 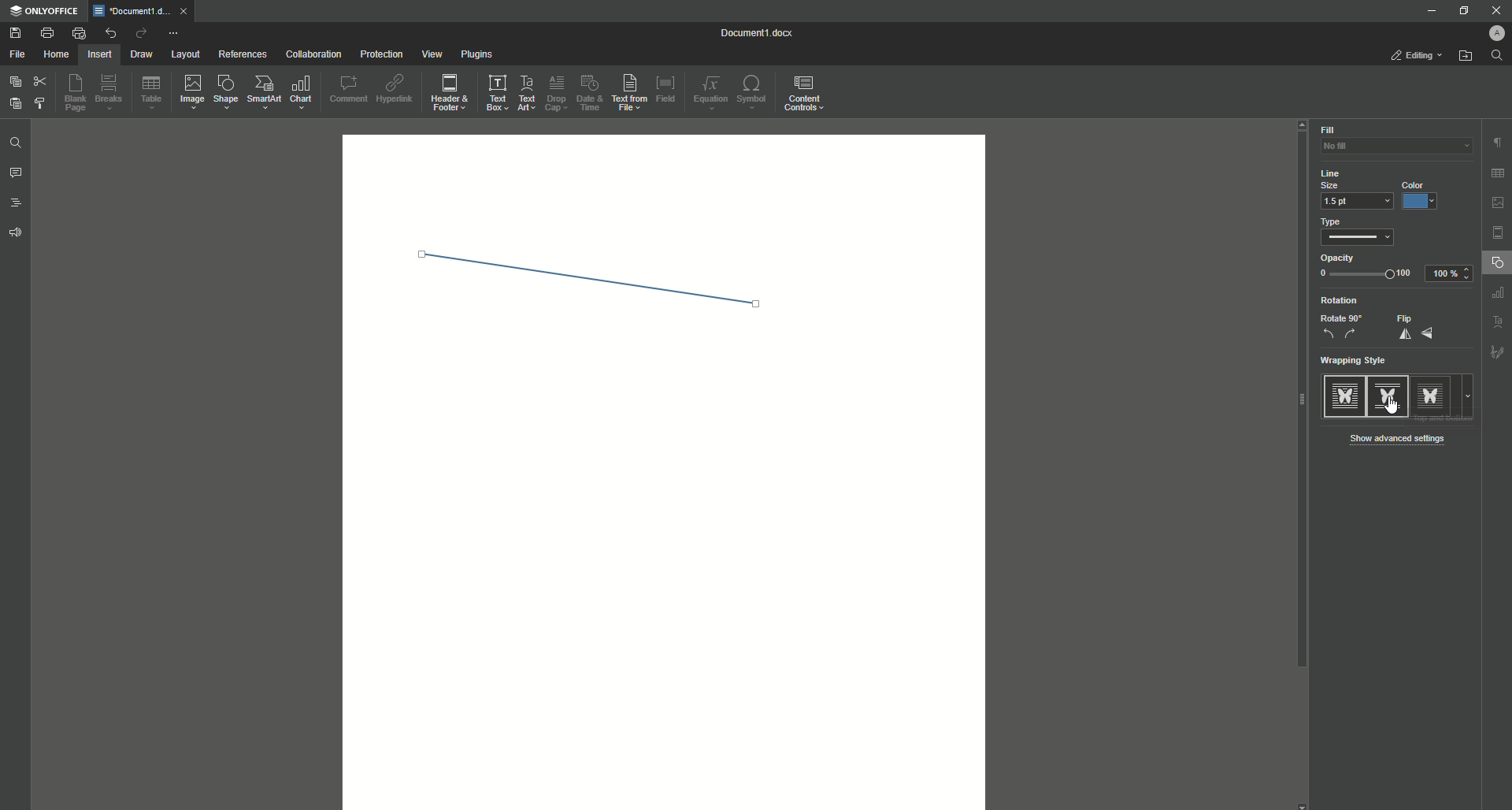 What do you see at coordinates (47, 11) in the screenshot?
I see `ONLYOFFICE` at bounding box center [47, 11].